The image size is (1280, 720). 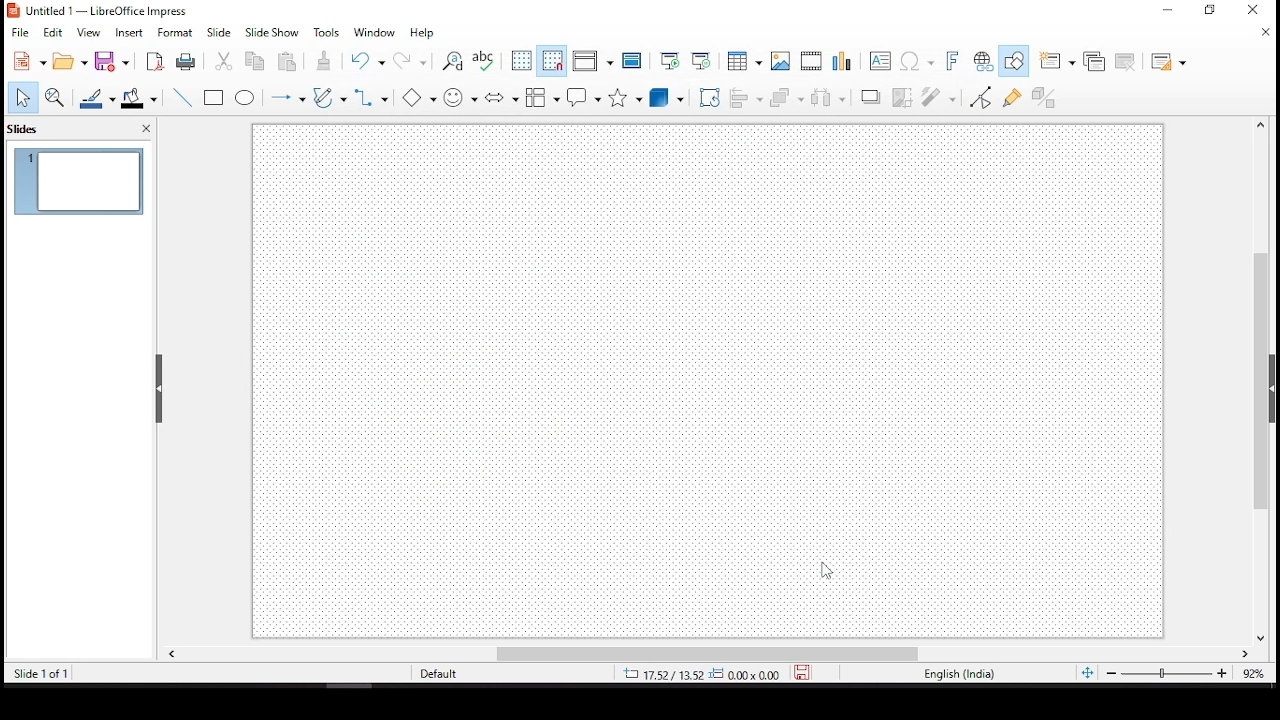 I want to click on spell check, so click(x=488, y=60).